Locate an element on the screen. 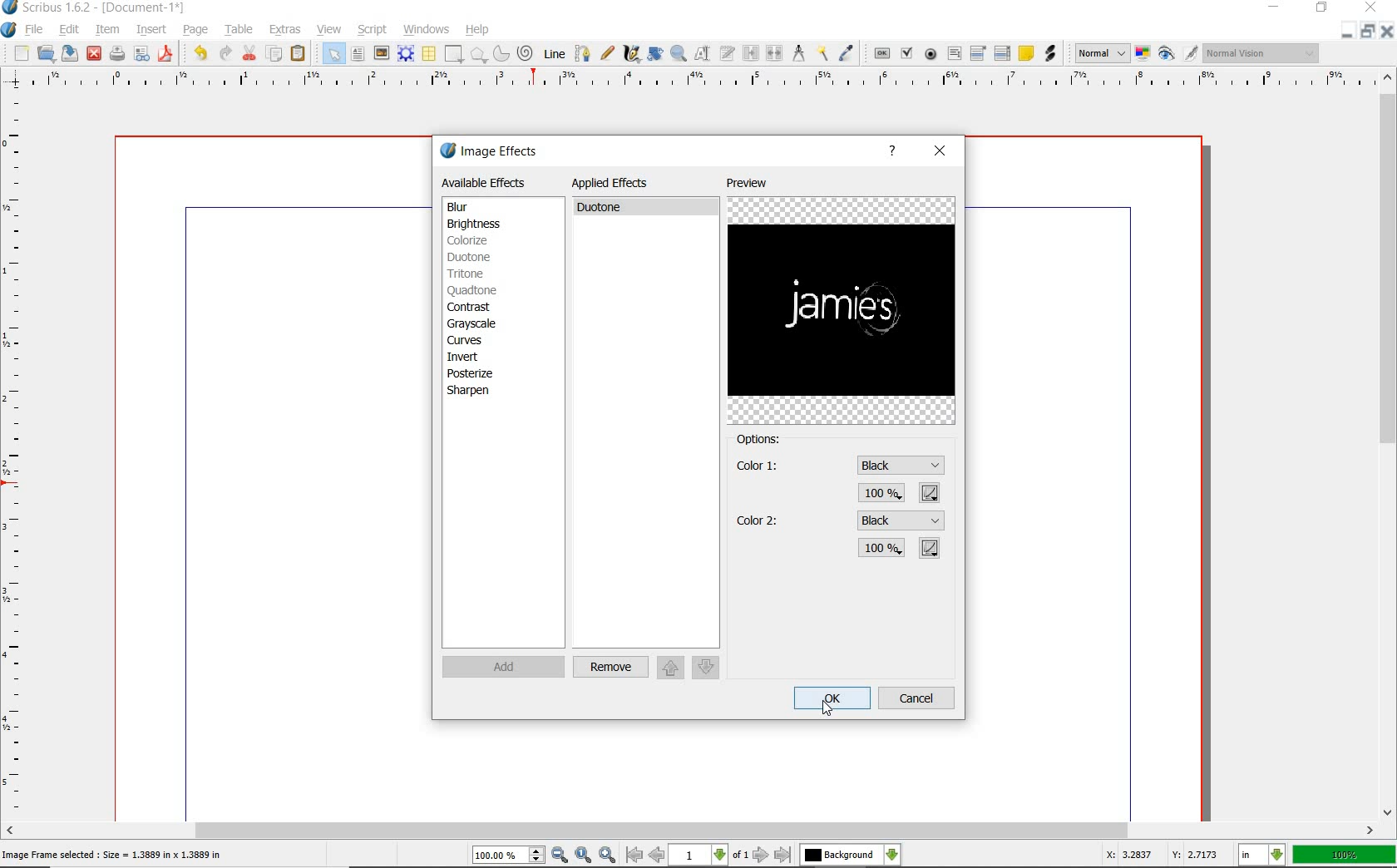  MINIMIZE is located at coordinates (1273, 7).